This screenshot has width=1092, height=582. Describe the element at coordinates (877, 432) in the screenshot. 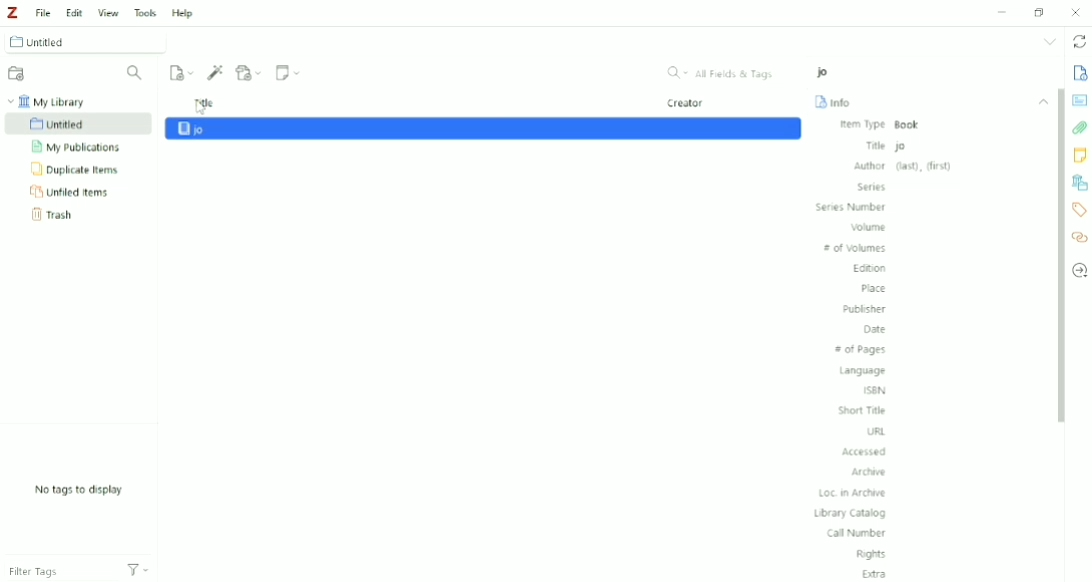

I see `URL` at that location.